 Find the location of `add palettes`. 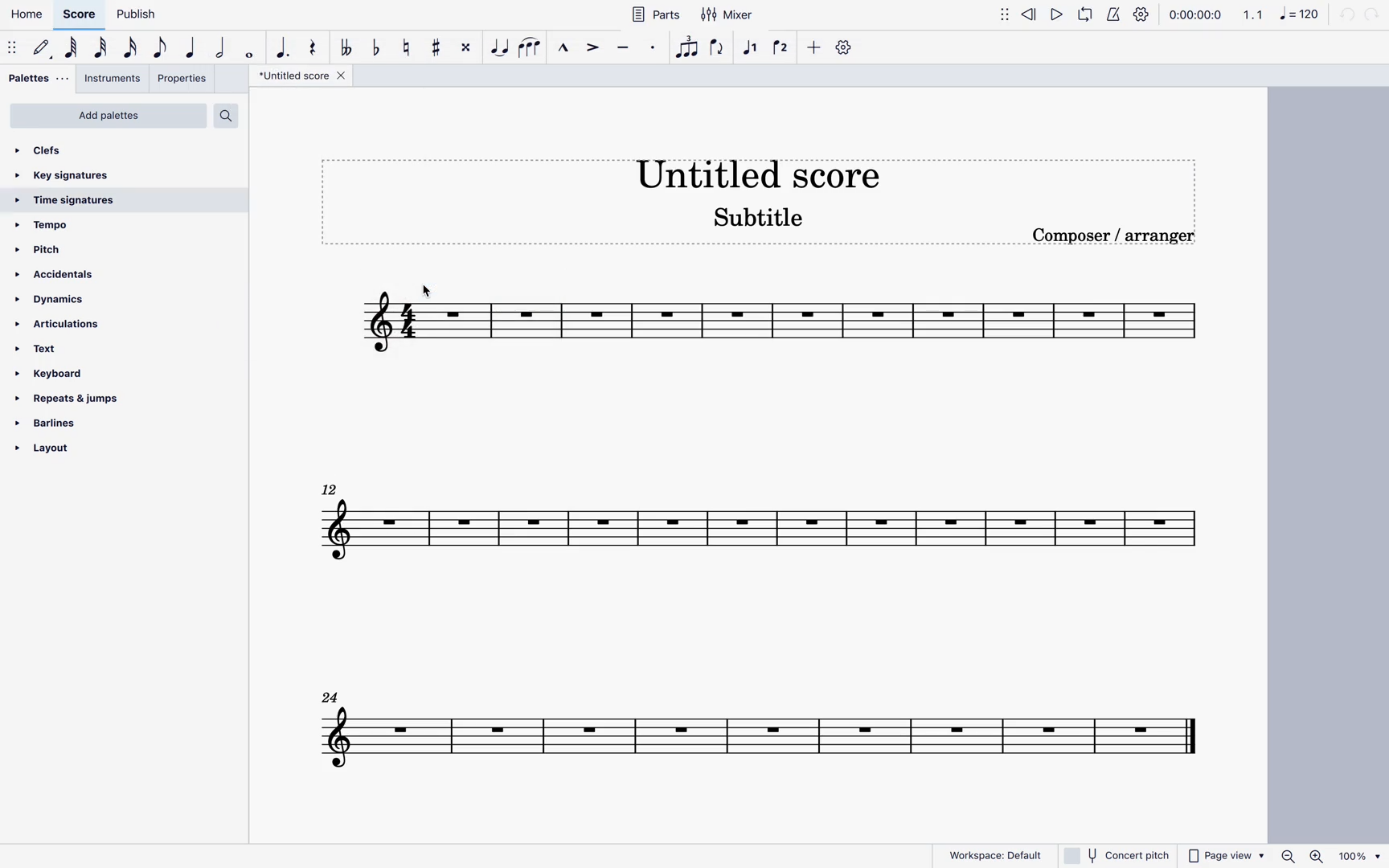

add palettes is located at coordinates (109, 115).